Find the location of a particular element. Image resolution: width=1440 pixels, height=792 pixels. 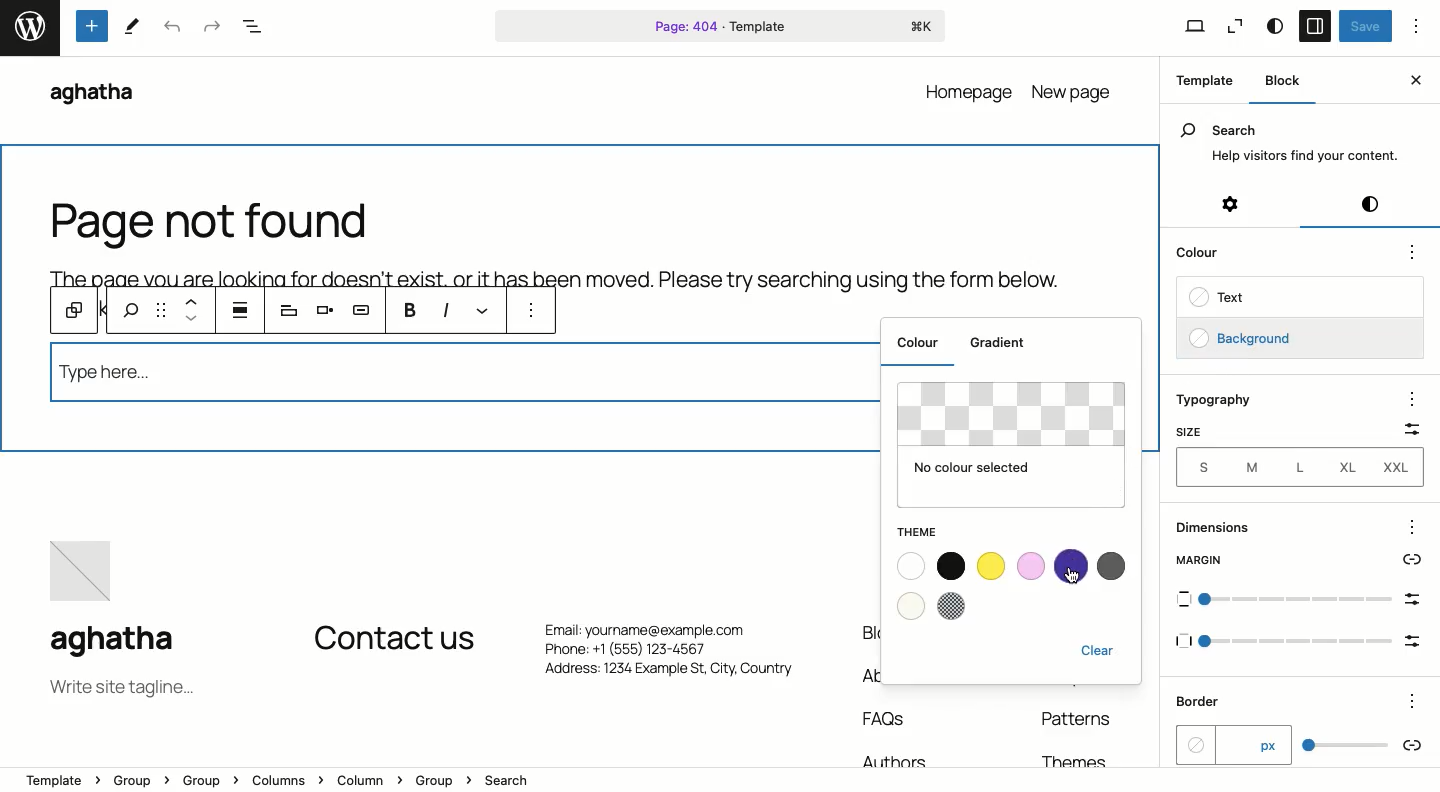

Blog is located at coordinates (867, 634).